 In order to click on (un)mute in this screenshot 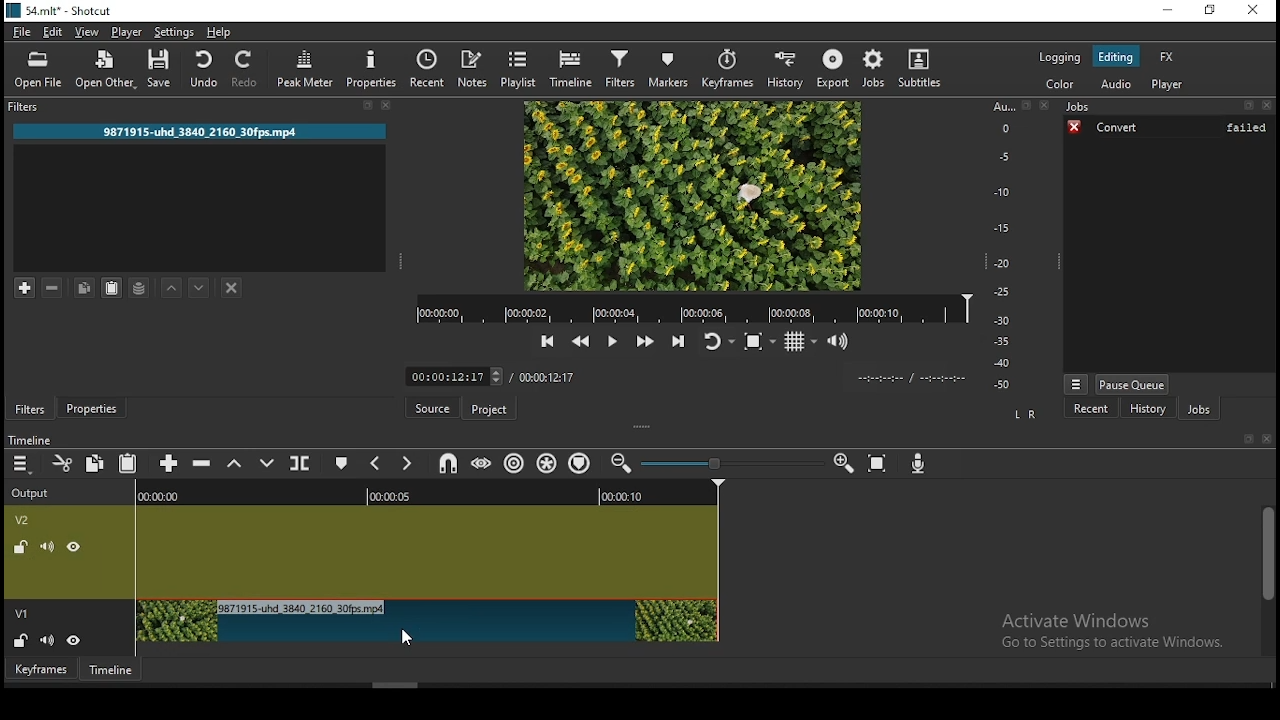, I will do `click(47, 548)`.